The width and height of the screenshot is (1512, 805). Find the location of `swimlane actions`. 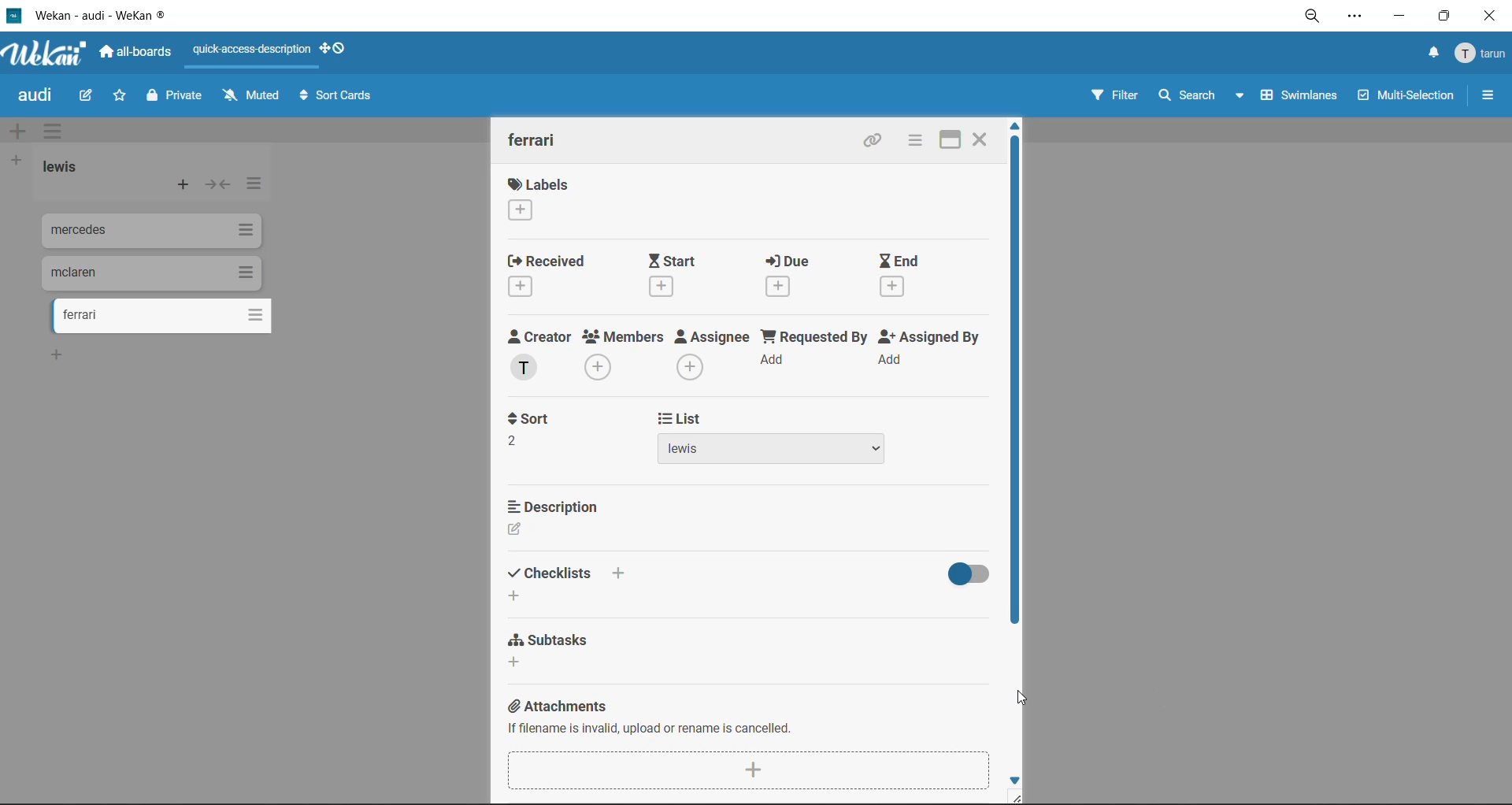

swimlane actions is located at coordinates (50, 129).